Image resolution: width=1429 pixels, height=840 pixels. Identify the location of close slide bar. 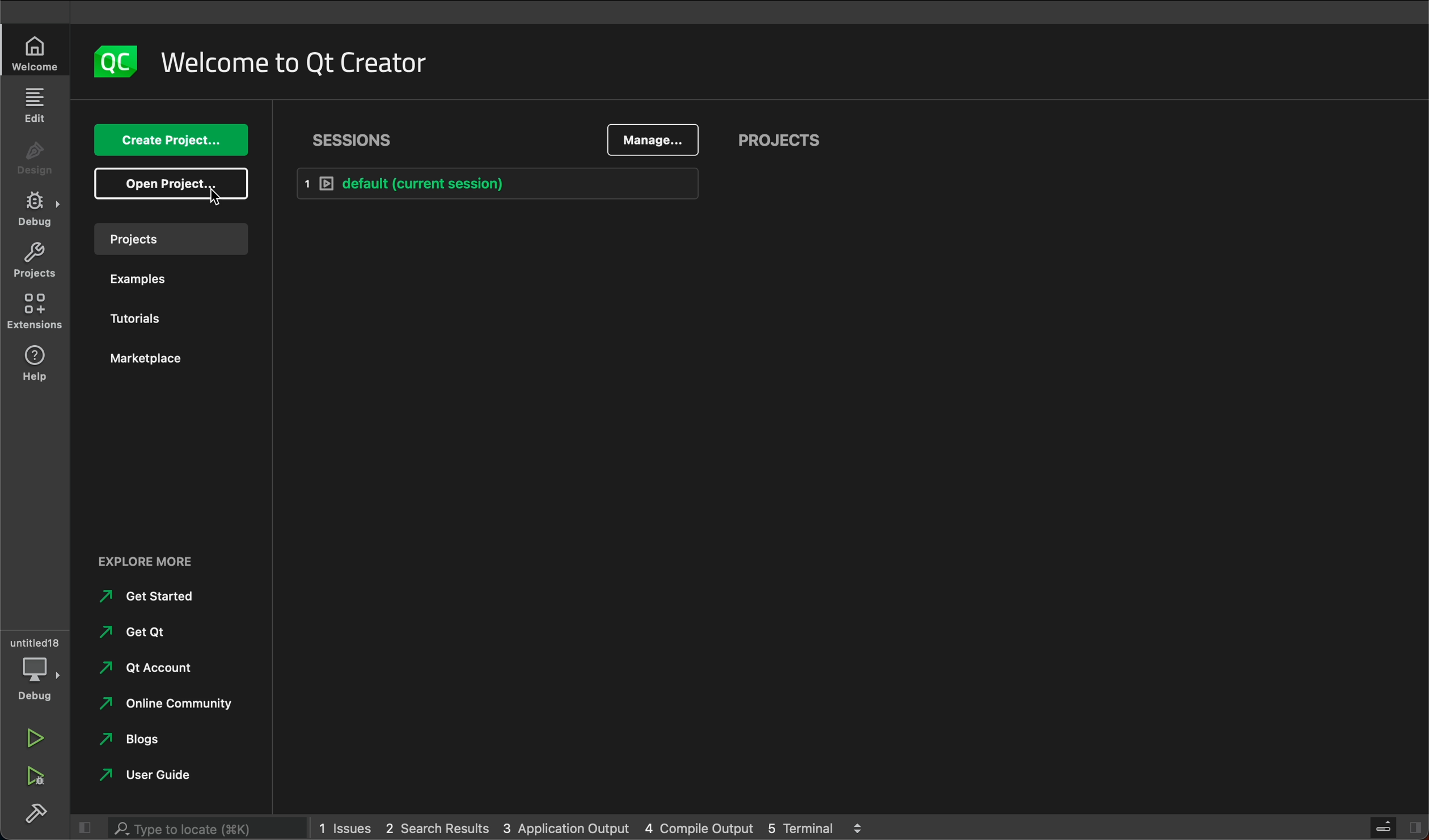
(1396, 829).